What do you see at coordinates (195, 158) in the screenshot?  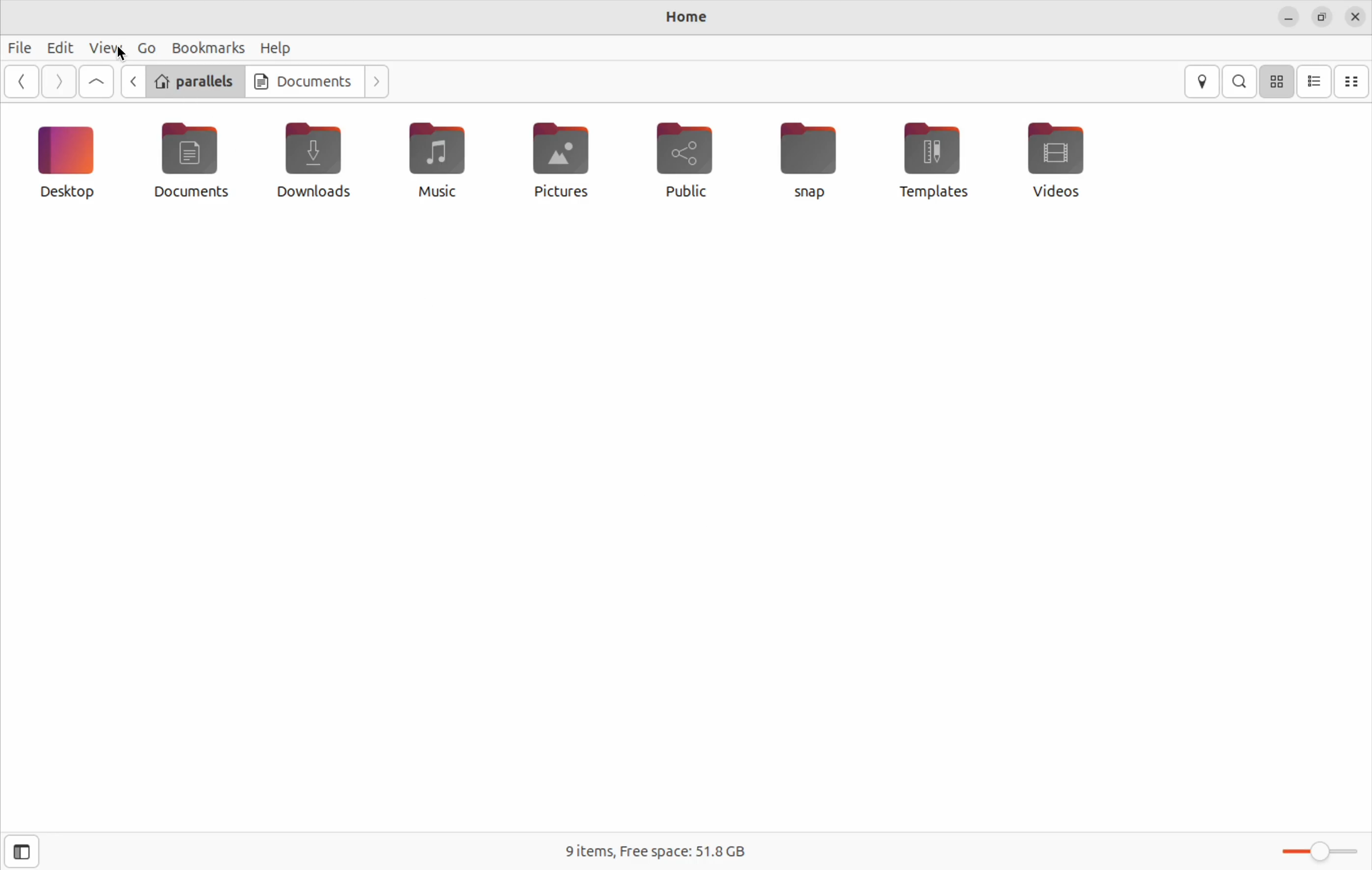 I see `documents` at bounding box center [195, 158].